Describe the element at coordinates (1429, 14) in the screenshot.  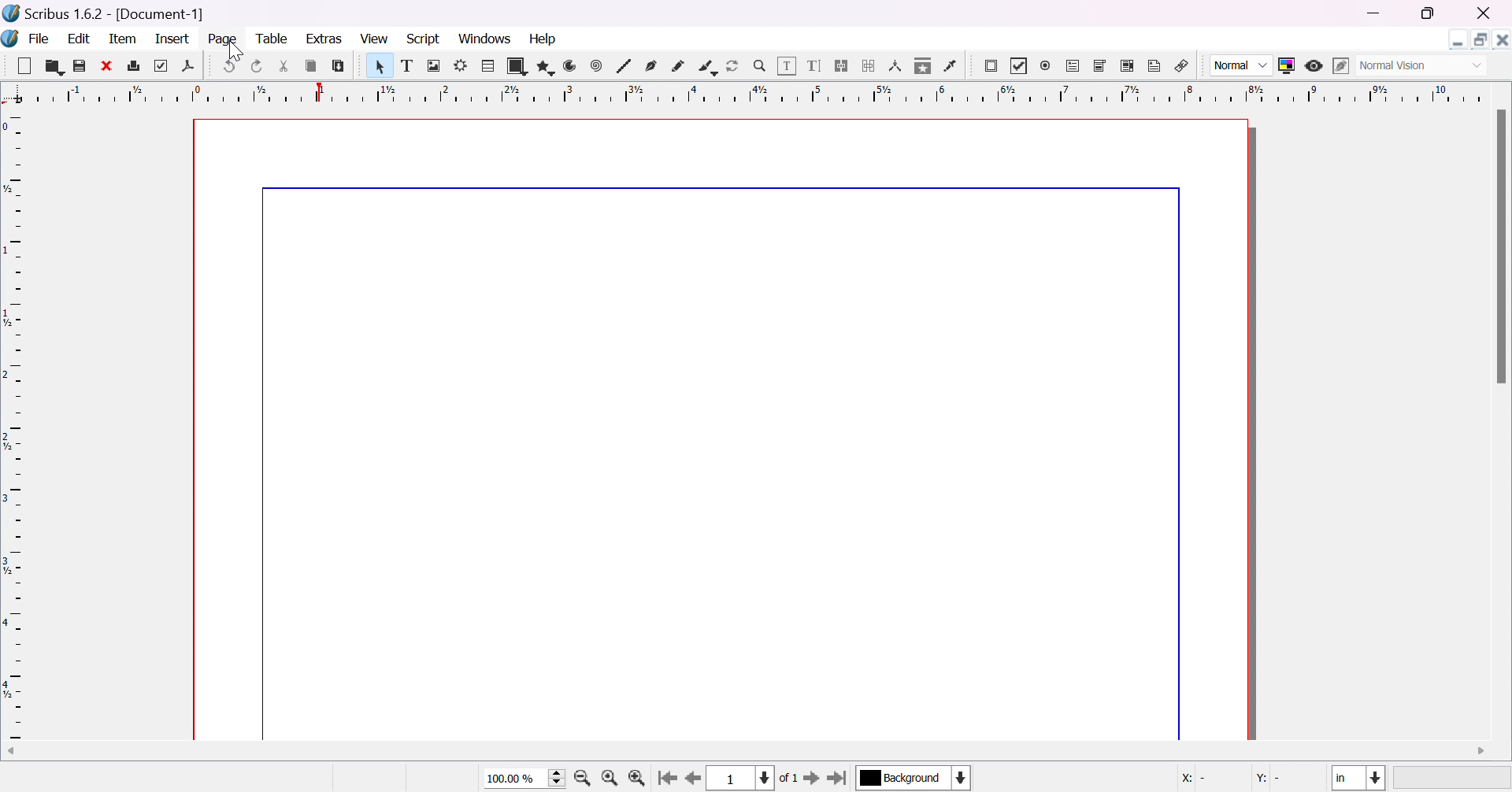
I see `restore down` at that location.